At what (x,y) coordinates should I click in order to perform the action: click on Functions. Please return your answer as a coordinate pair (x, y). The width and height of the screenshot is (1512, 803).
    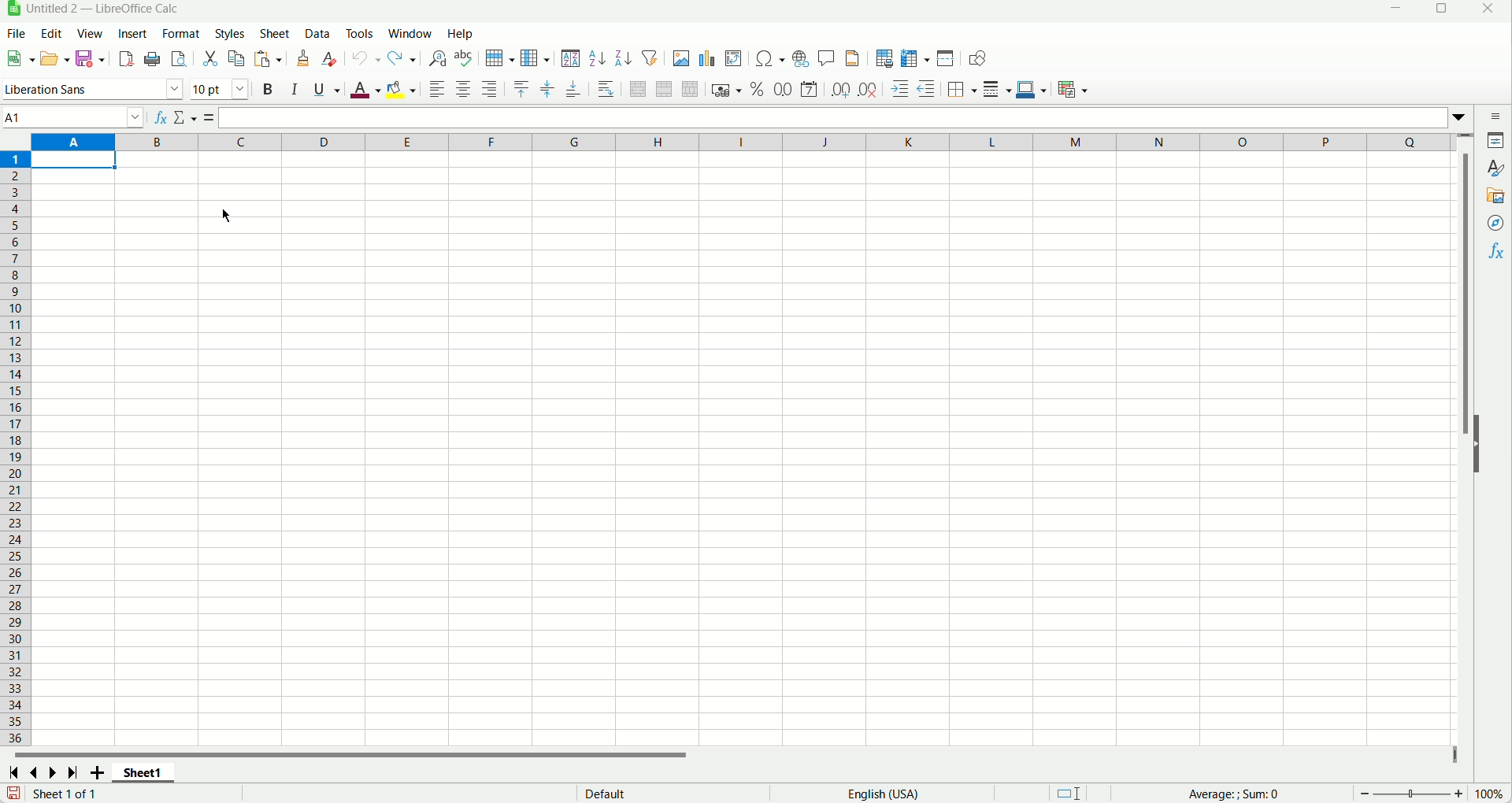
    Looking at the image, I should click on (1498, 250).